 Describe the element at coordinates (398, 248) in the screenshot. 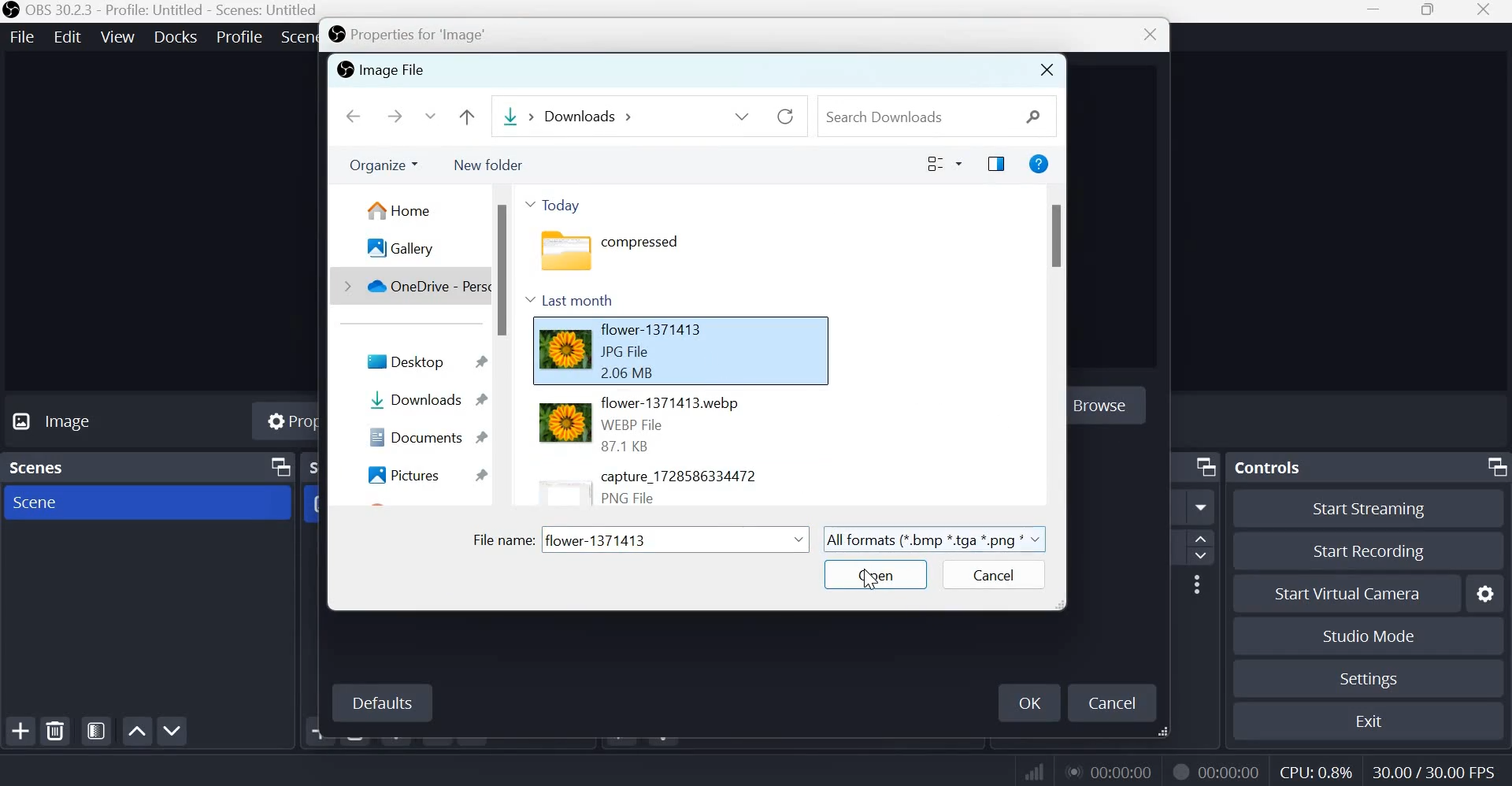

I see `gallery` at that location.